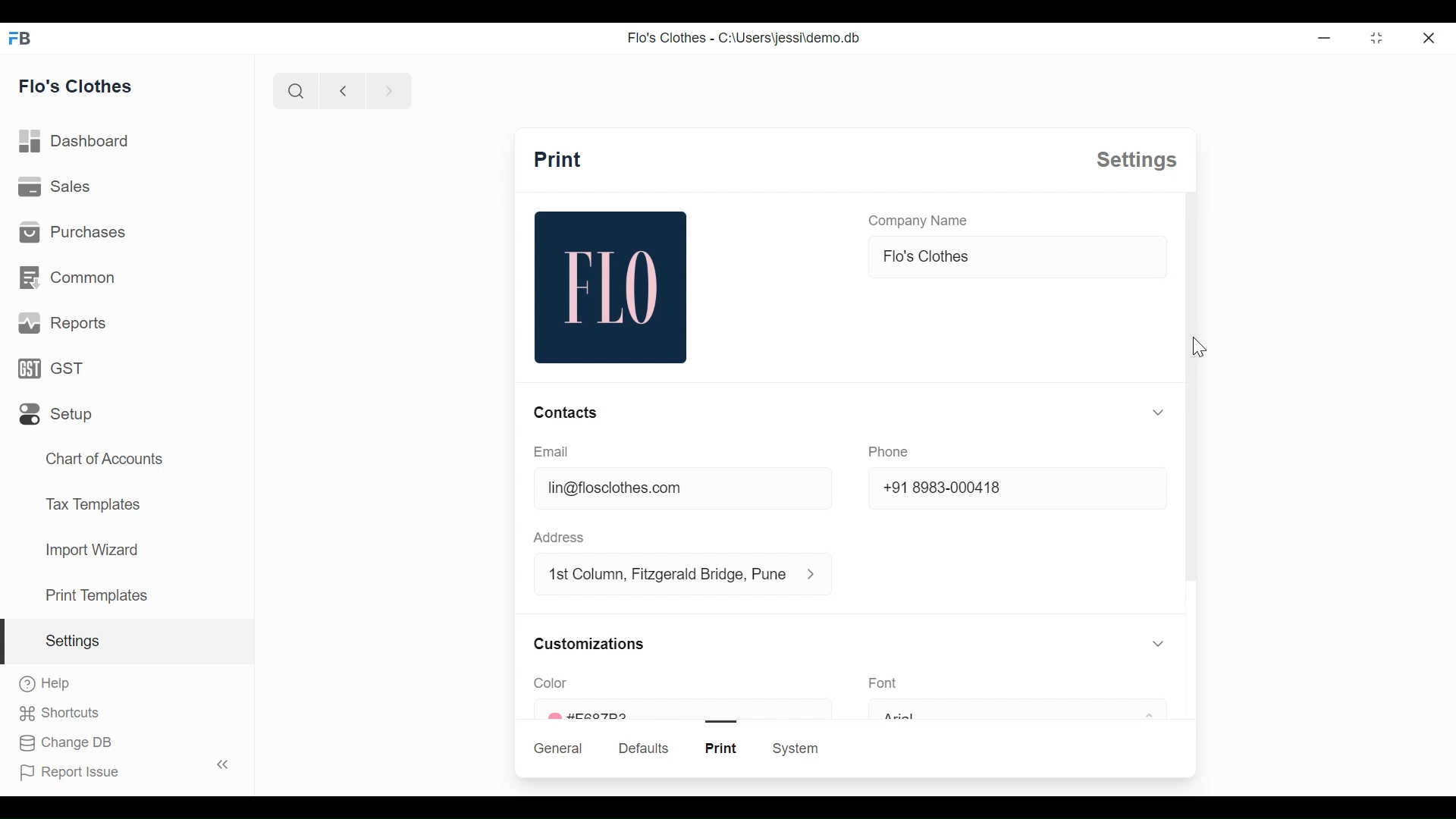  I want to click on GST, so click(50, 368).